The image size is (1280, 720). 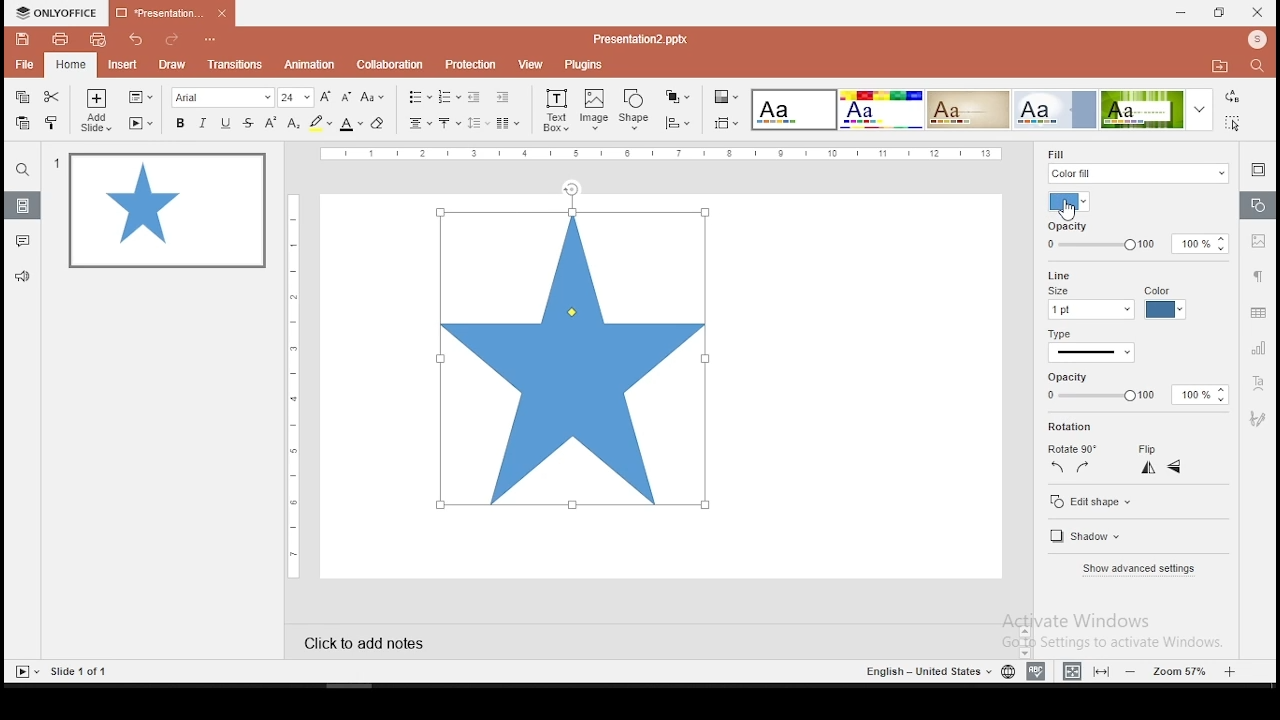 I want to click on numbering, so click(x=450, y=96).